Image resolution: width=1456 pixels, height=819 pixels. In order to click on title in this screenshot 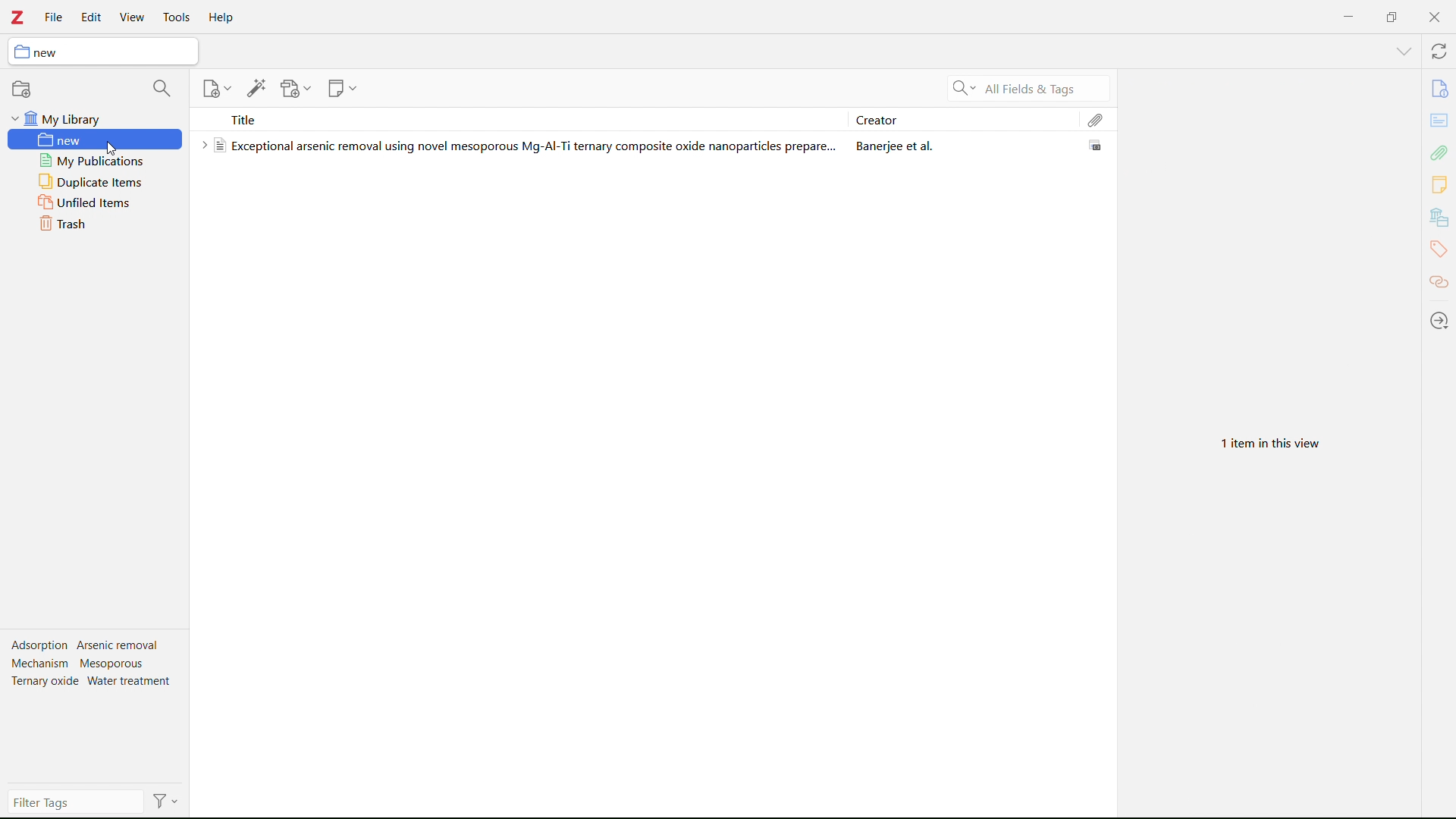, I will do `click(520, 119)`.